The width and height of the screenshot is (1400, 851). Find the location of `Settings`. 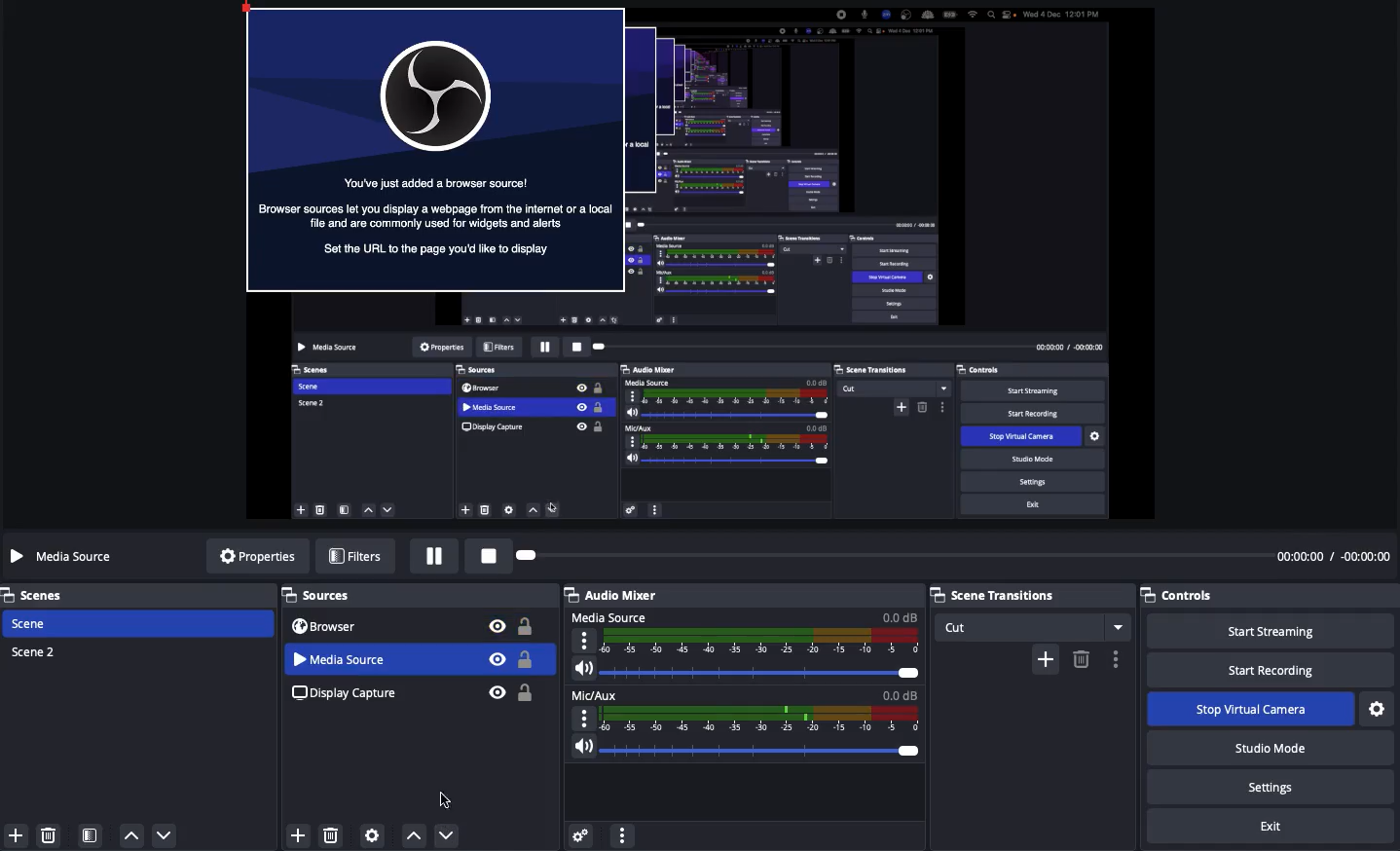

Settings is located at coordinates (1270, 788).